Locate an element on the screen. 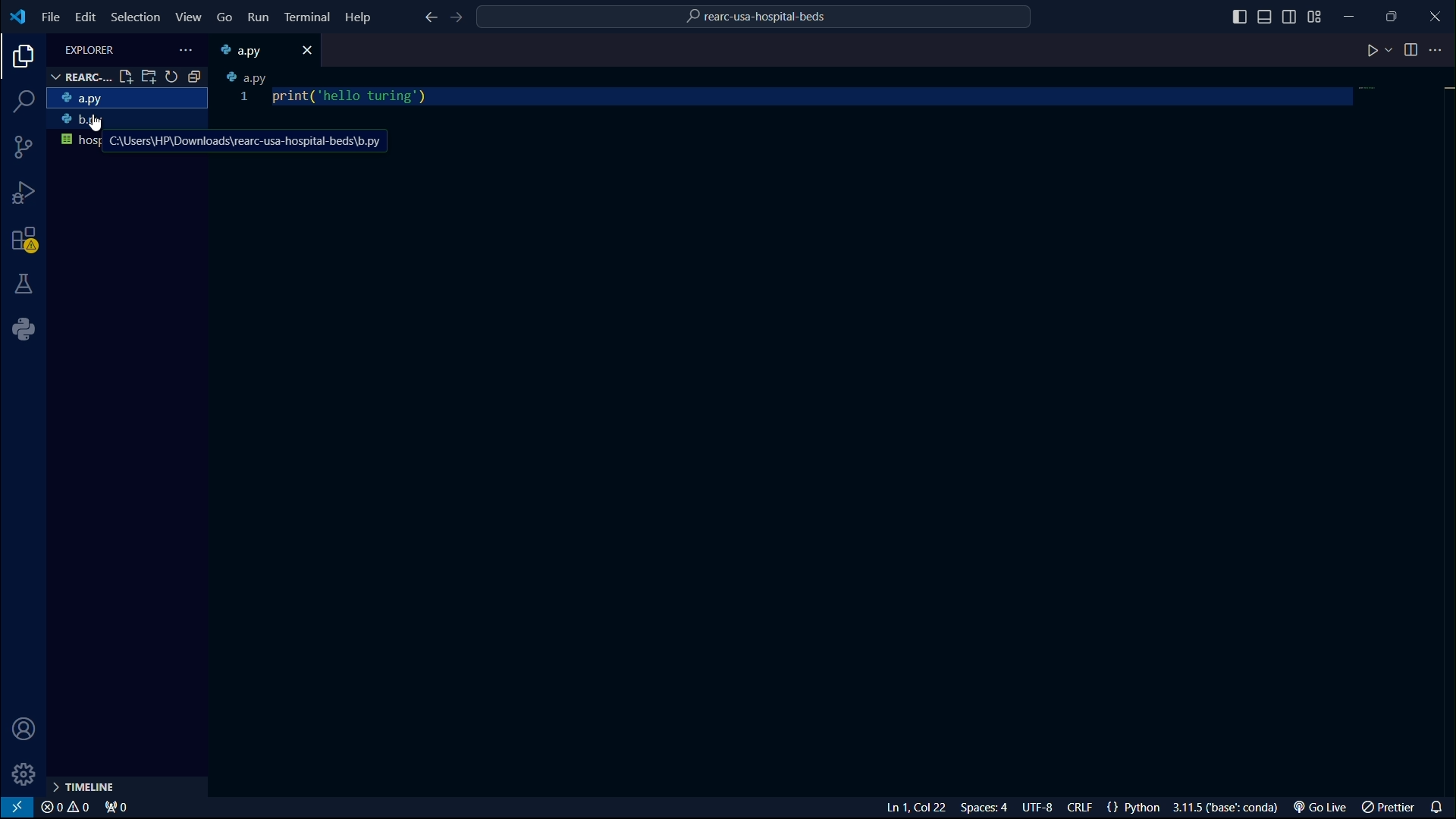 This screenshot has width=1456, height=819. testing is located at coordinates (26, 286).